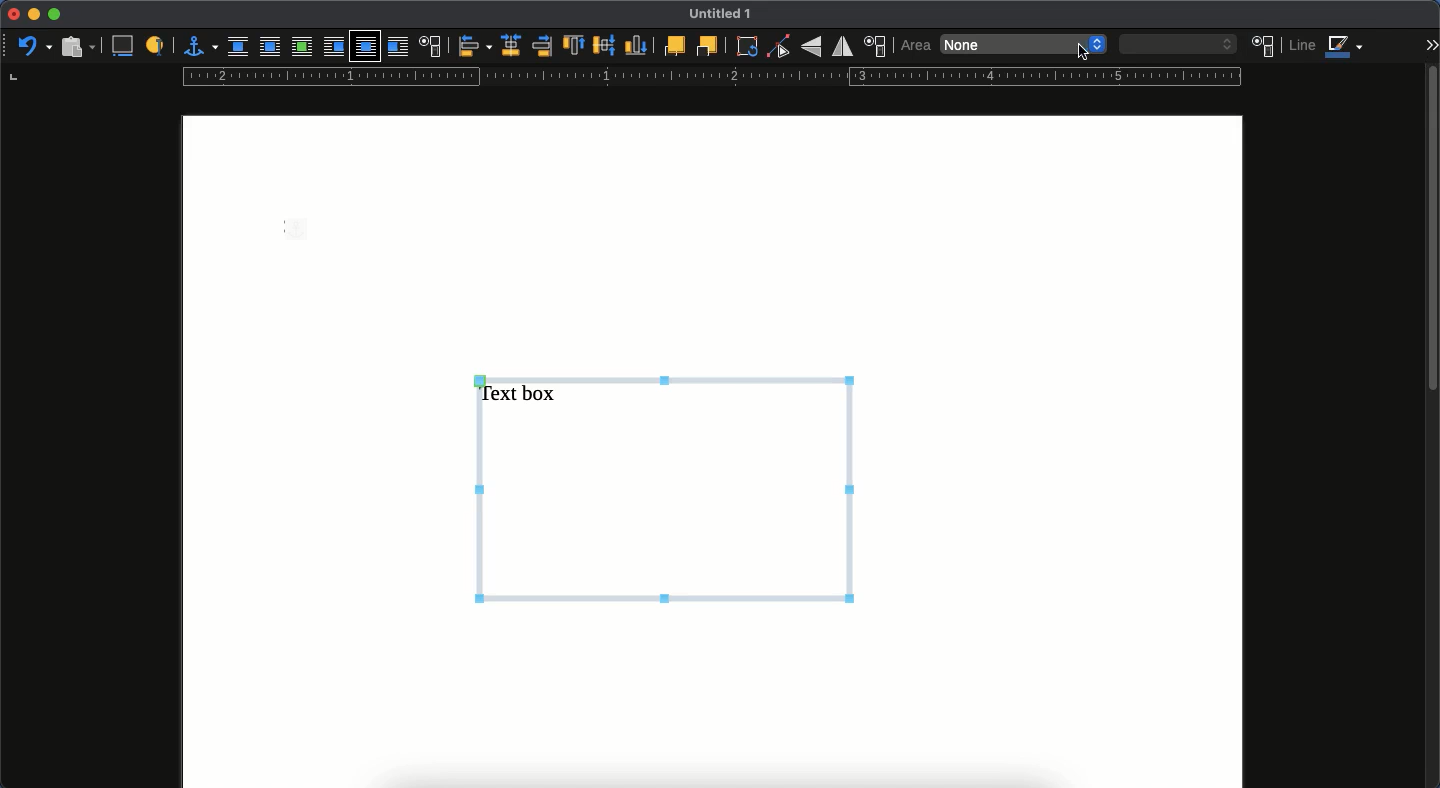 This screenshot has width=1440, height=788. I want to click on centered, so click(509, 46).